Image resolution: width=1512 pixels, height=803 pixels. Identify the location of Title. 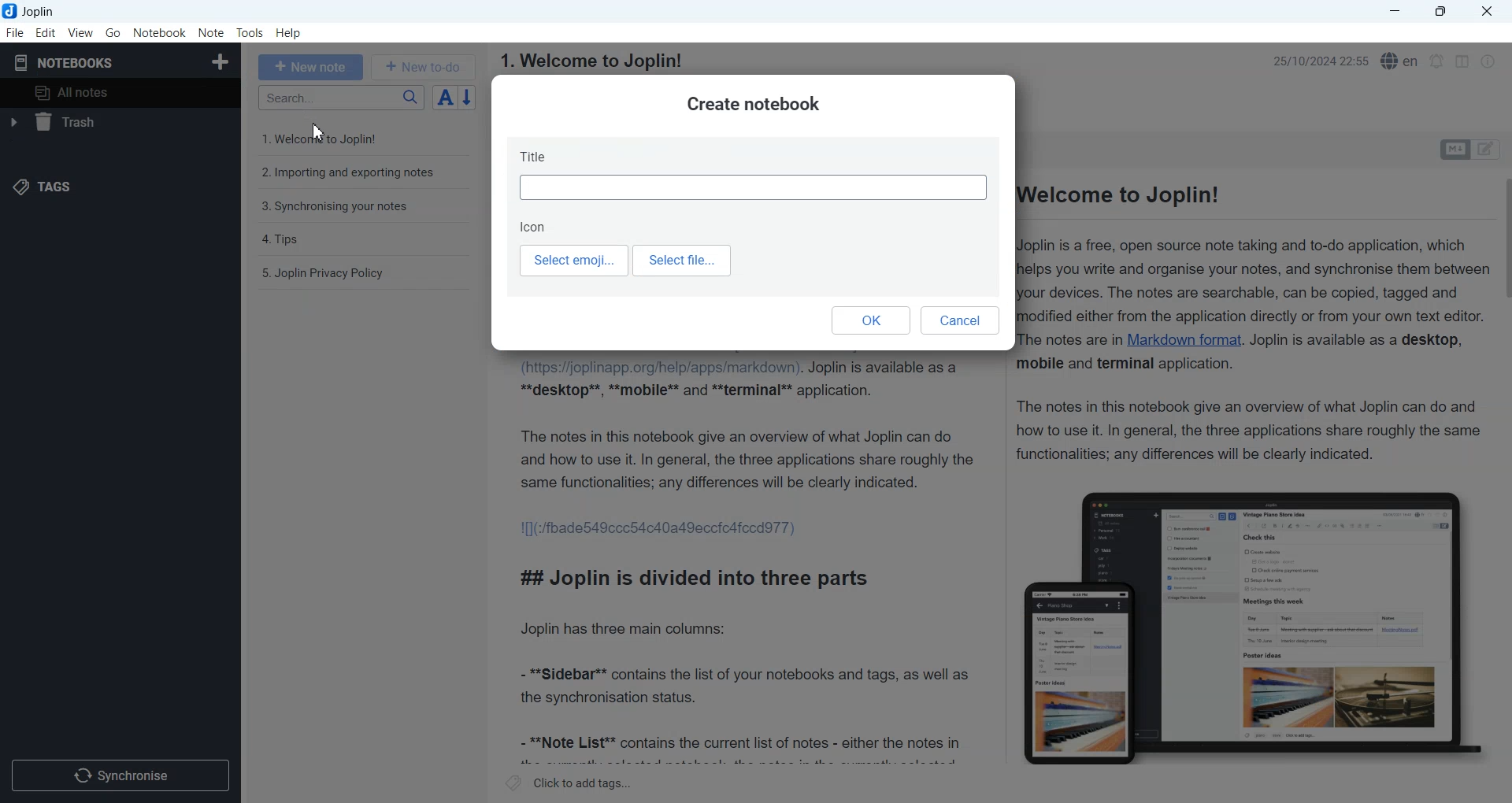
(754, 172).